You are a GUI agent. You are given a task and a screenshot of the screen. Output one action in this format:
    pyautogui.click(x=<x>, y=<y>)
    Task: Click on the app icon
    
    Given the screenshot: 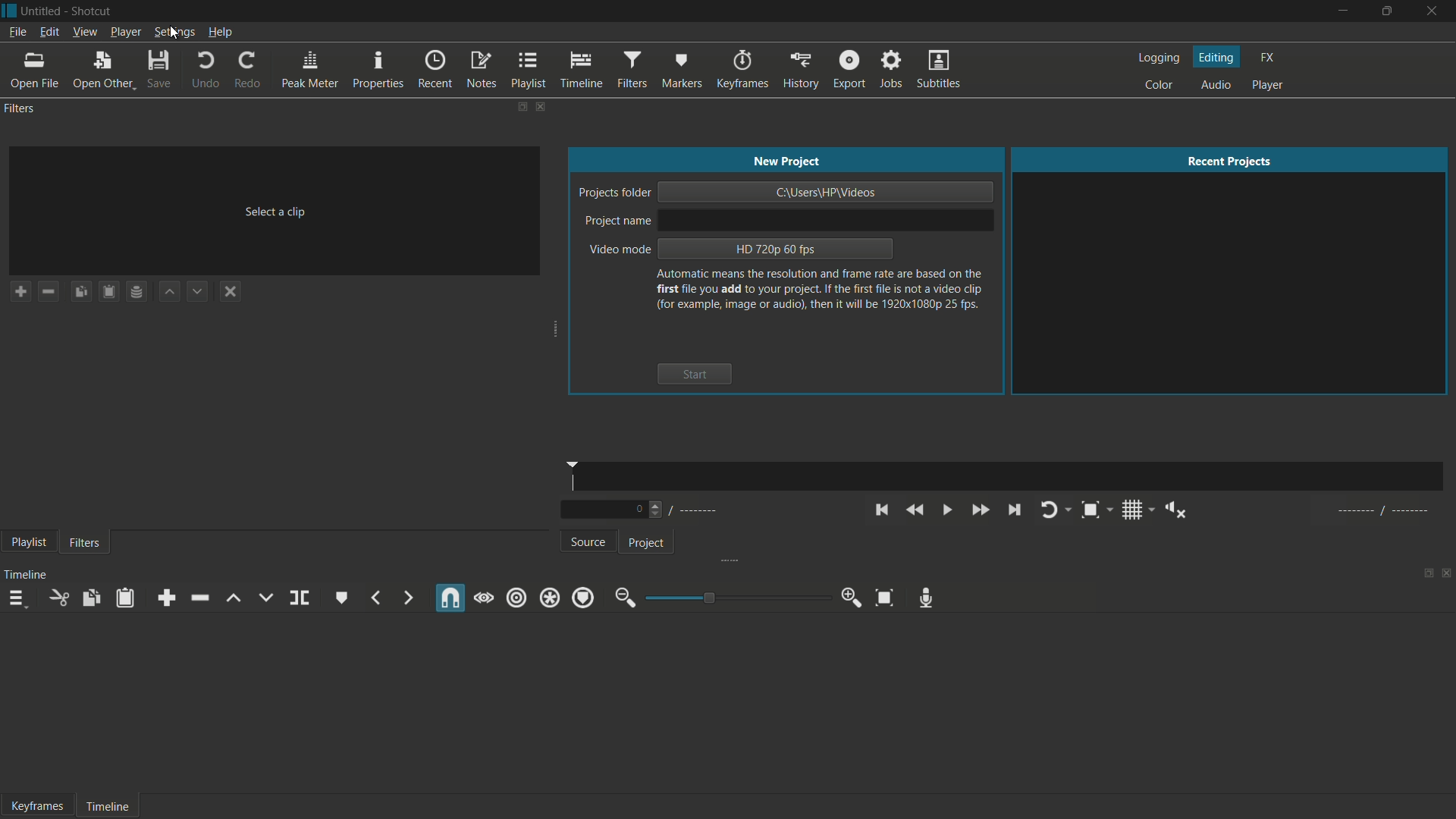 What is the action you would take?
    pyautogui.click(x=9, y=9)
    